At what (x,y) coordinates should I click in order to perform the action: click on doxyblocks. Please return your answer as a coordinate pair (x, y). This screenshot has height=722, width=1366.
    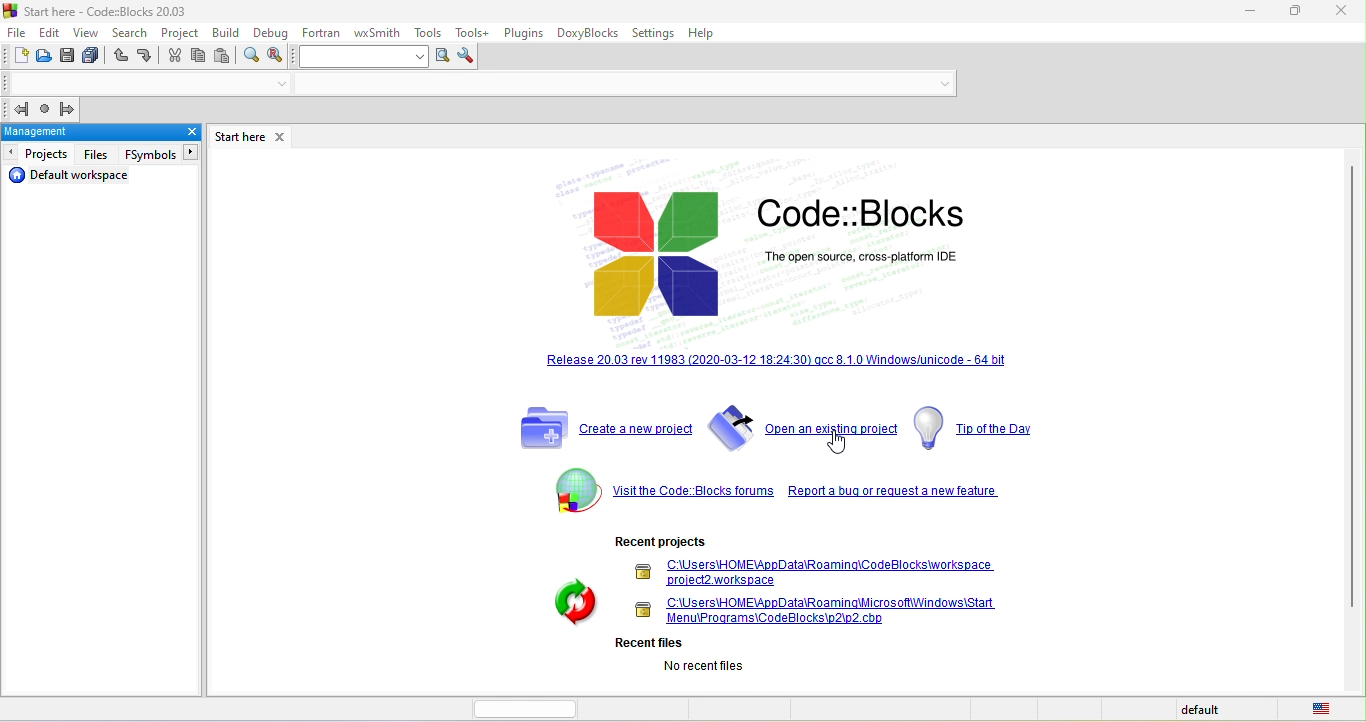
    Looking at the image, I should click on (589, 35).